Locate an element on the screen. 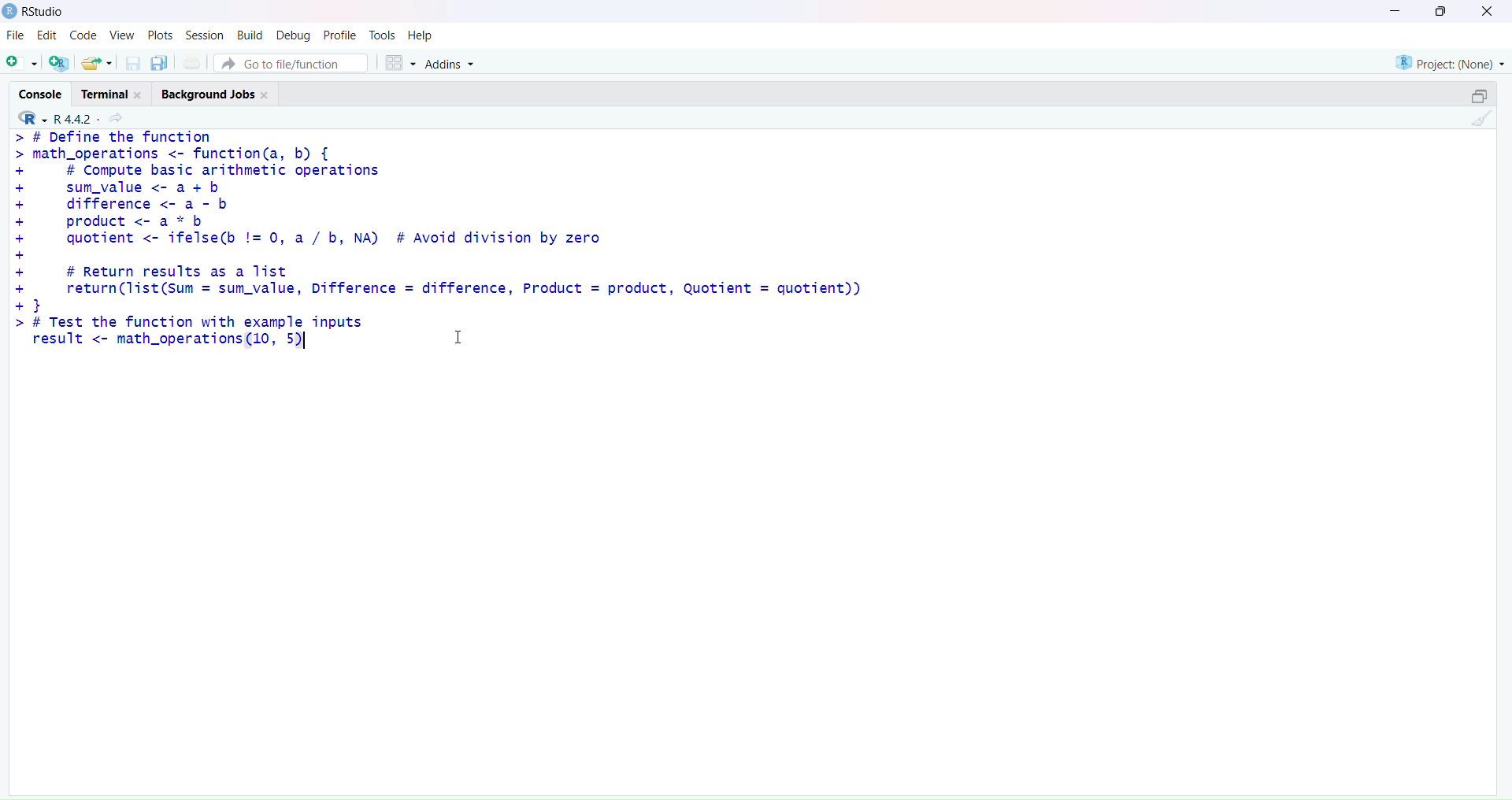  Save all open documents (Ctrl + Alt + S) is located at coordinates (158, 61).